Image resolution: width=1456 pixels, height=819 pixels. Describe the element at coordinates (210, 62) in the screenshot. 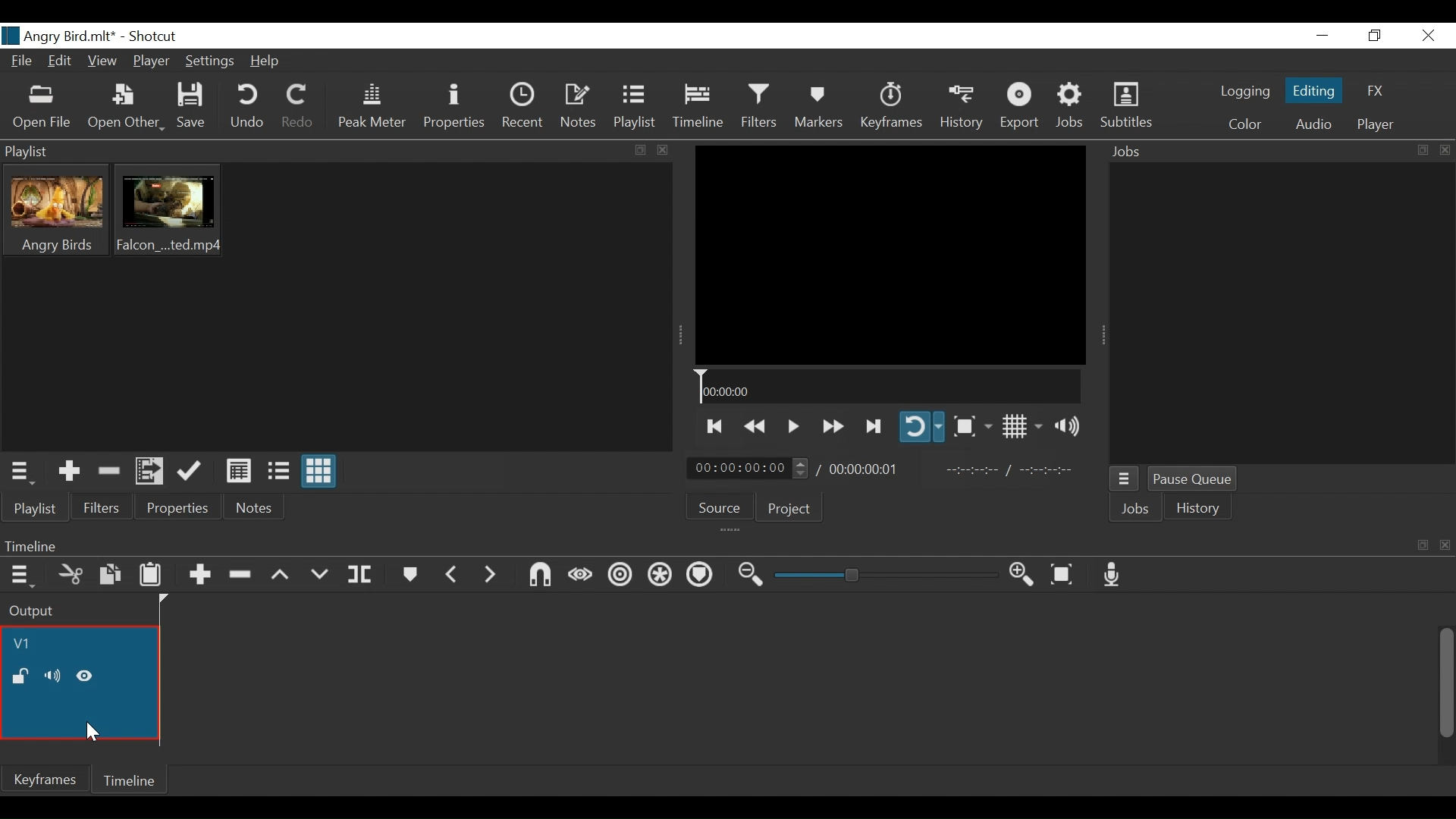

I see `Settings` at that location.